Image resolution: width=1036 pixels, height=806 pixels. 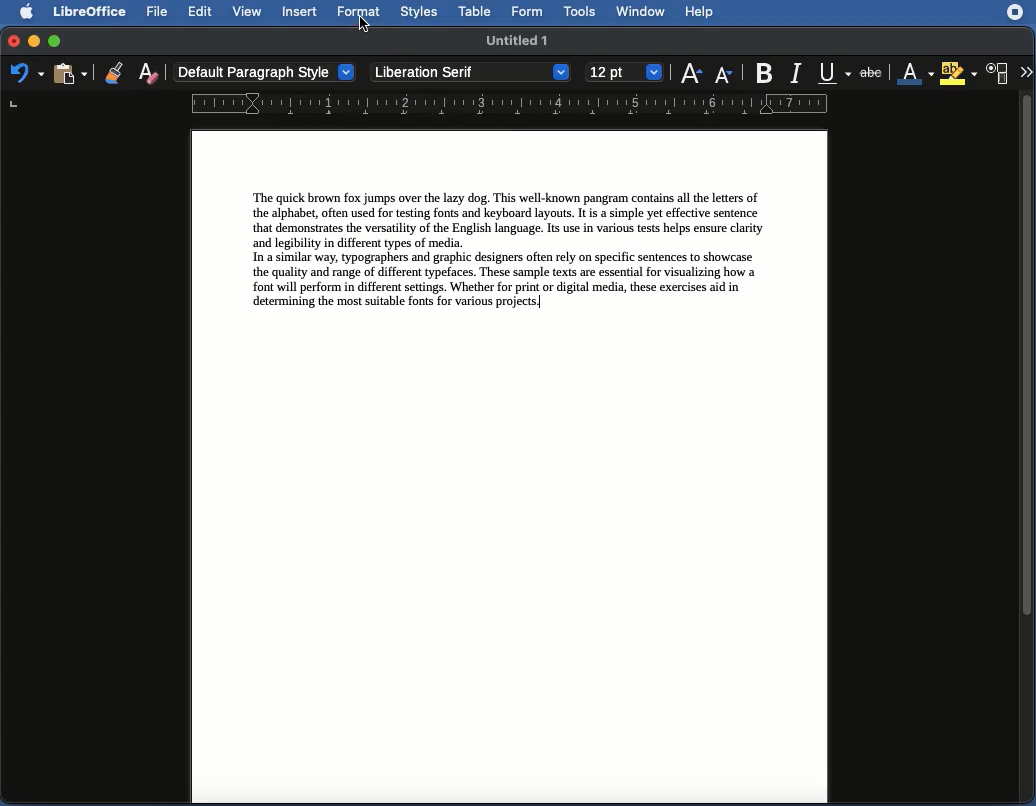 What do you see at coordinates (700, 13) in the screenshot?
I see `Help` at bounding box center [700, 13].